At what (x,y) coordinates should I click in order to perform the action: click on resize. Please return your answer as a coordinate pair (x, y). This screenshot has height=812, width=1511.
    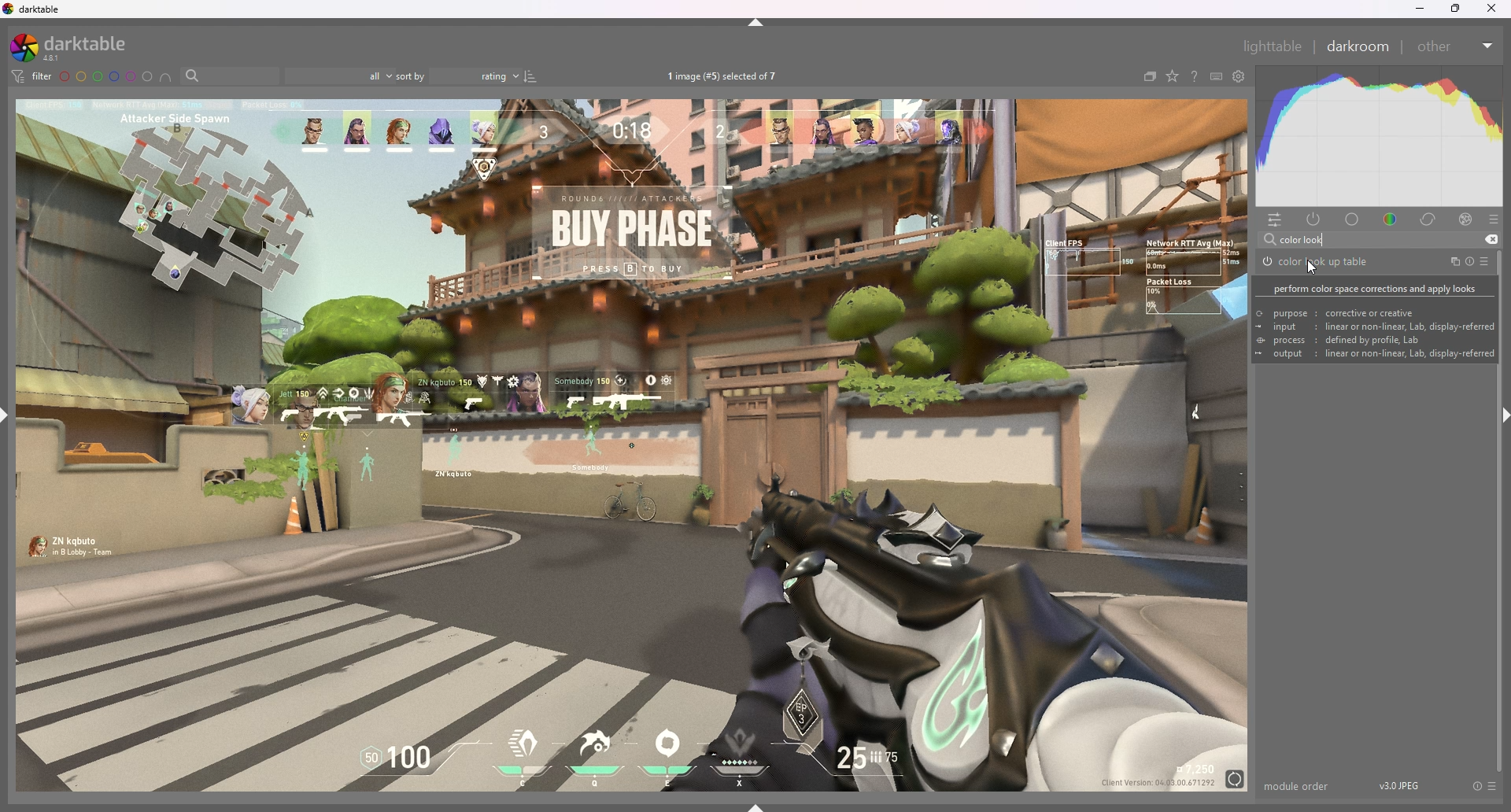
    Looking at the image, I should click on (1455, 9).